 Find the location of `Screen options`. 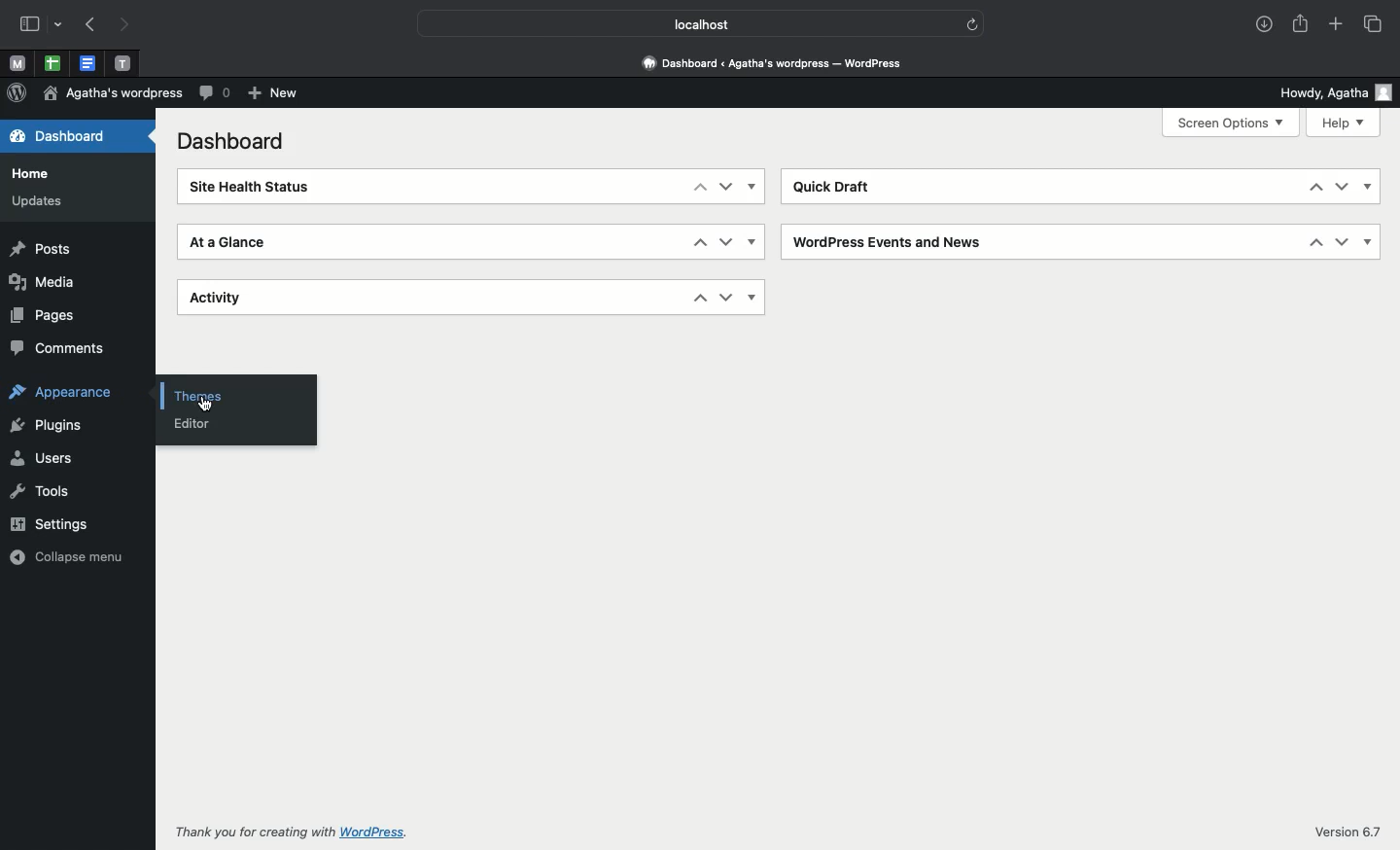

Screen options is located at coordinates (1232, 124).